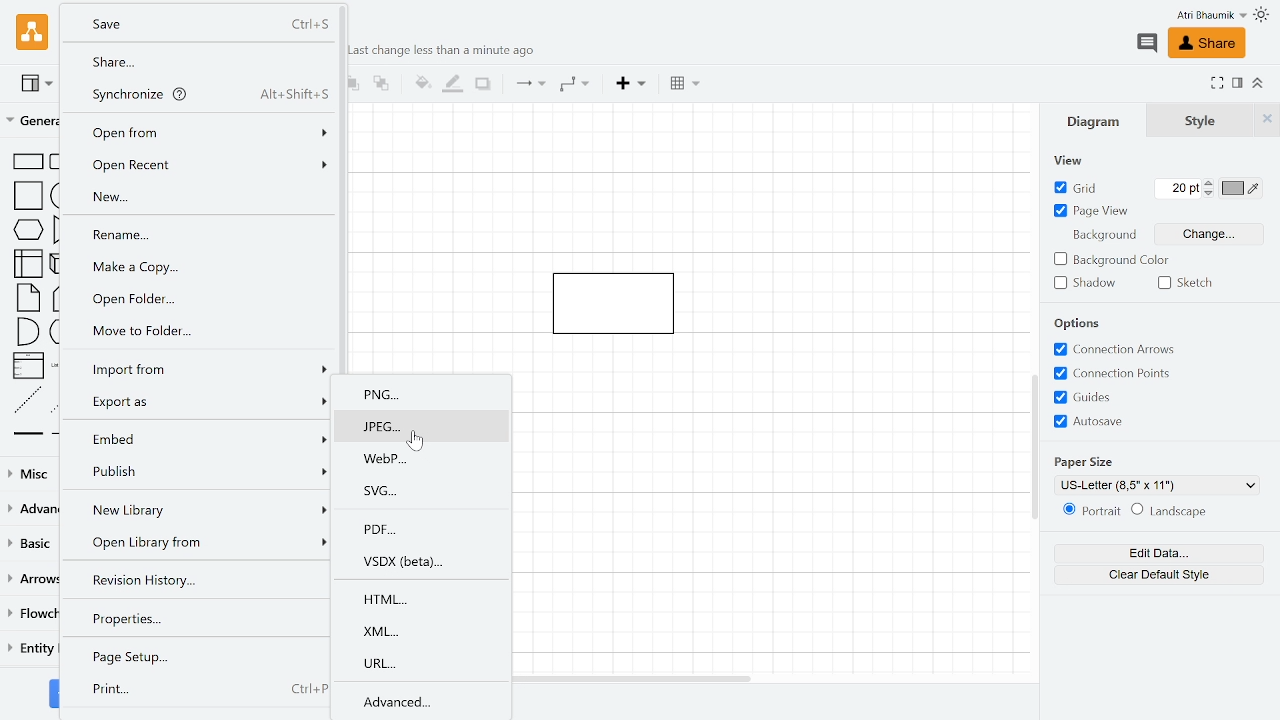  Describe the element at coordinates (201, 62) in the screenshot. I see `Share` at that location.